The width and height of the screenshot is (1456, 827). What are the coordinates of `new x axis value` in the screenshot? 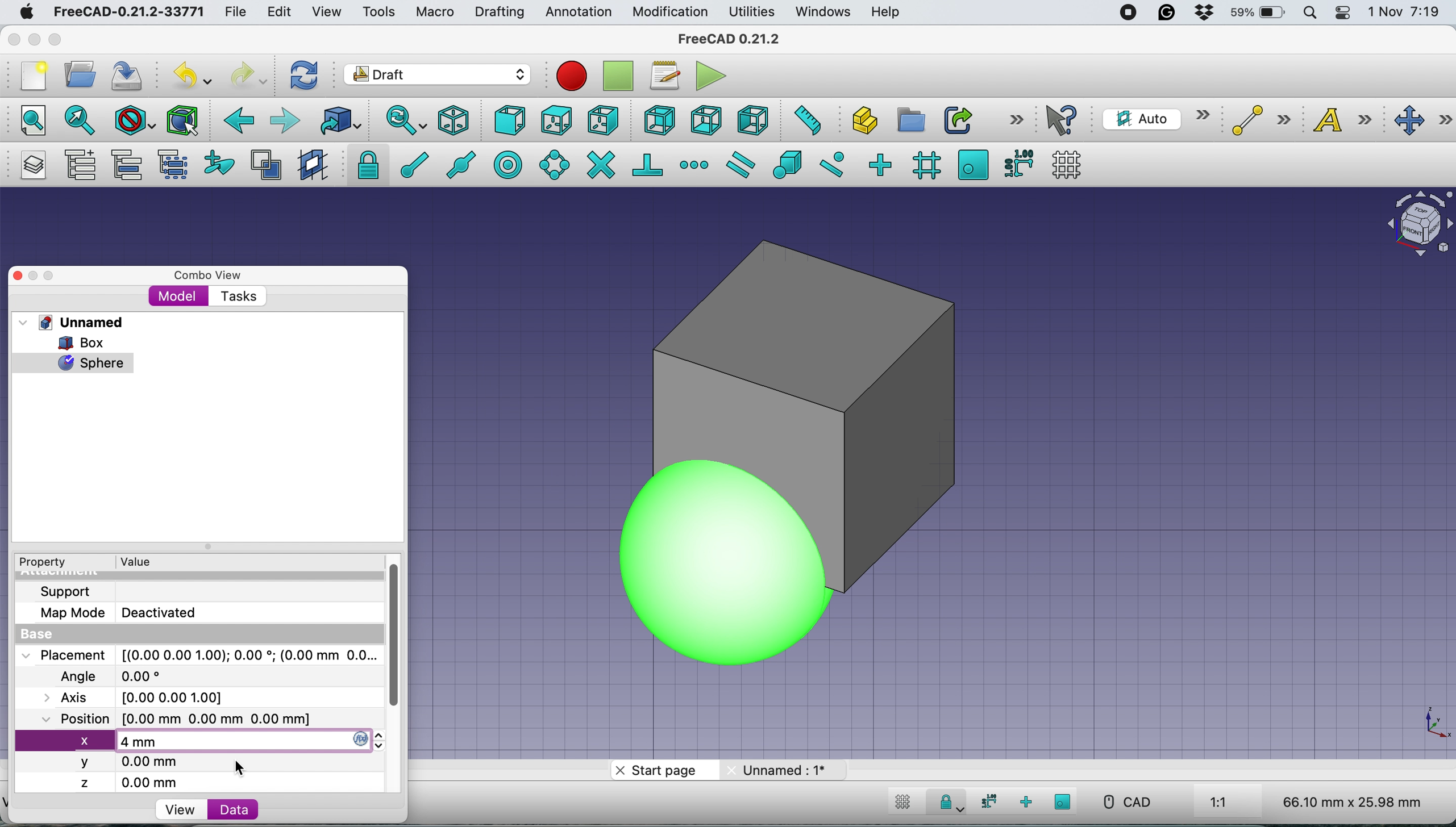 It's located at (139, 742).